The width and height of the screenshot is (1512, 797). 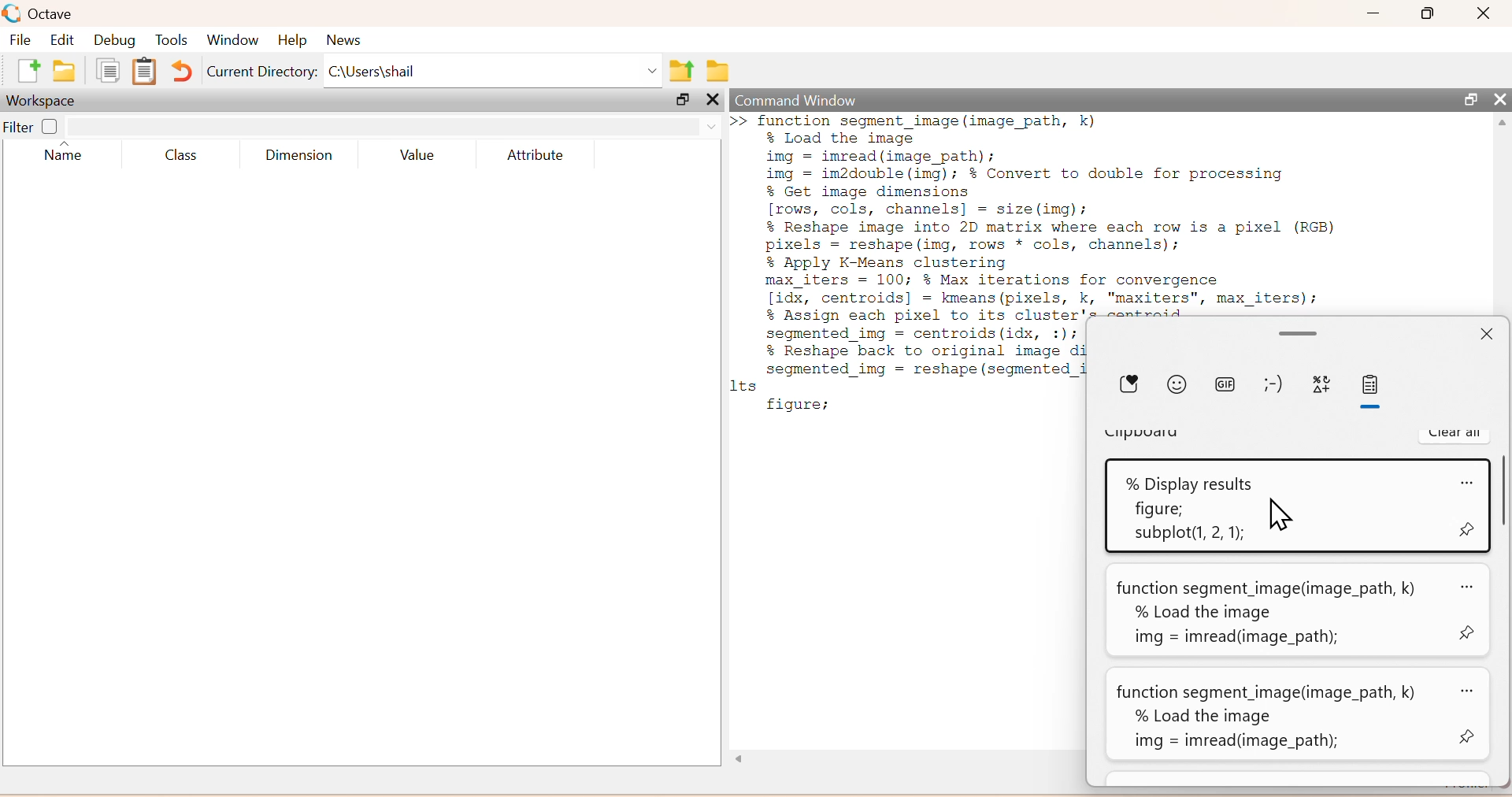 What do you see at coordinates (1285, 518) in the screenshot?
I see `Cursor` at bounding box center [1285, 518].